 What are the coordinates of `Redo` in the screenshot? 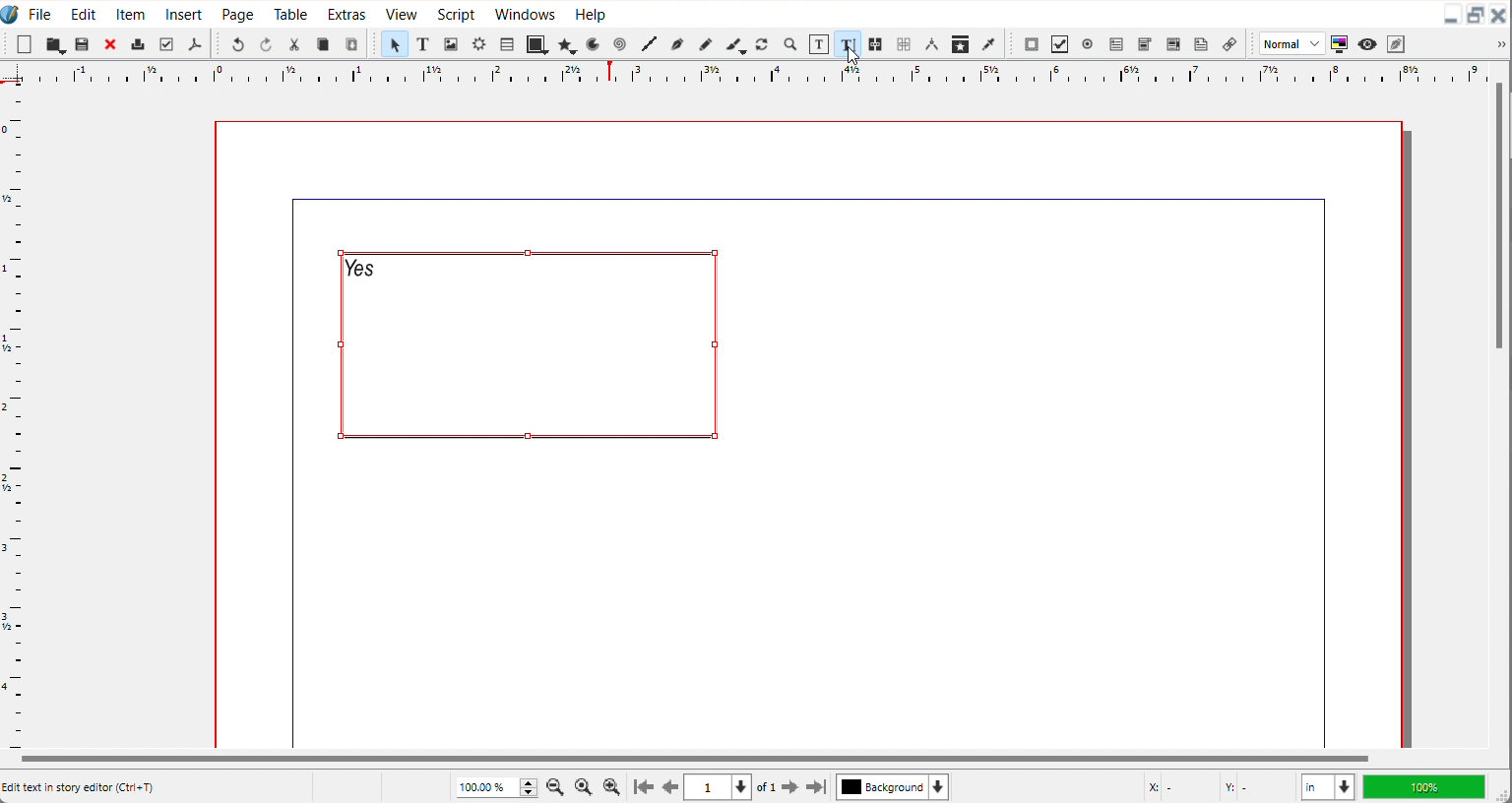 It's located at (265, 43).